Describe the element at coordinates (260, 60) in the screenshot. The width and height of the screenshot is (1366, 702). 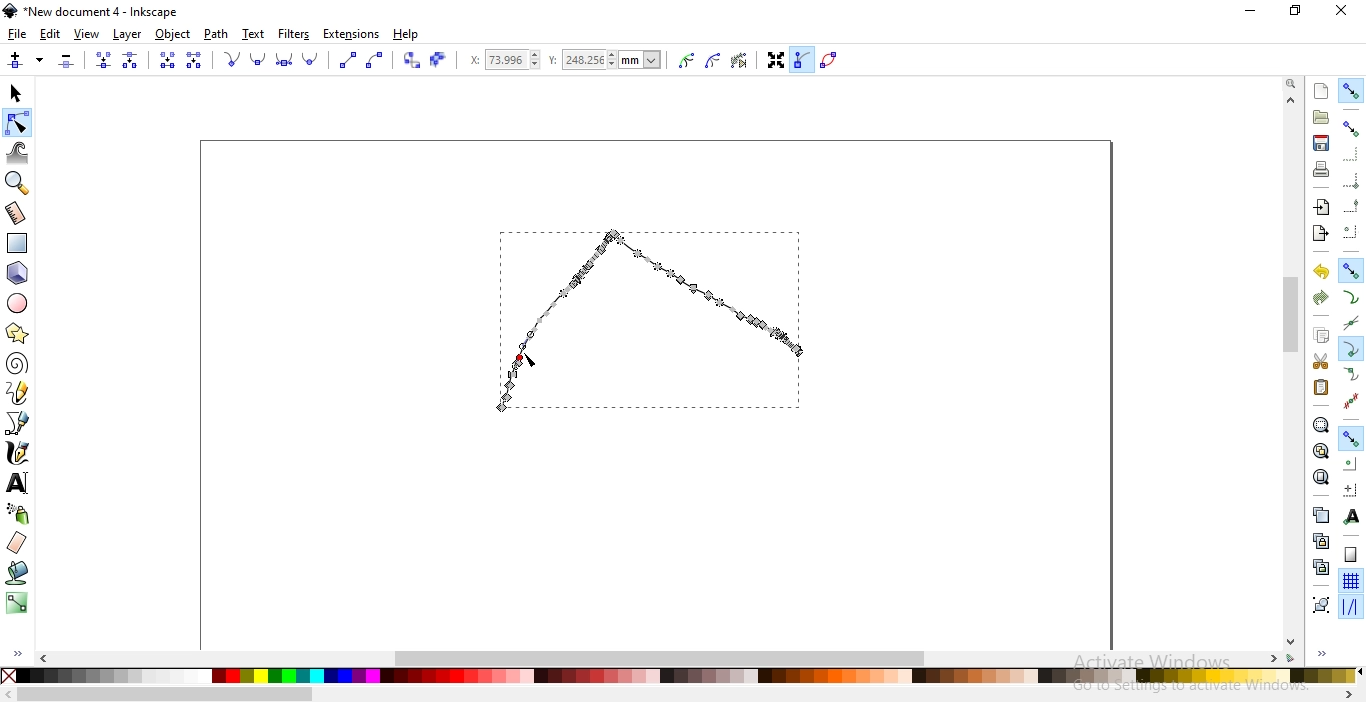
I see `make selected nodes smooth` at that location.